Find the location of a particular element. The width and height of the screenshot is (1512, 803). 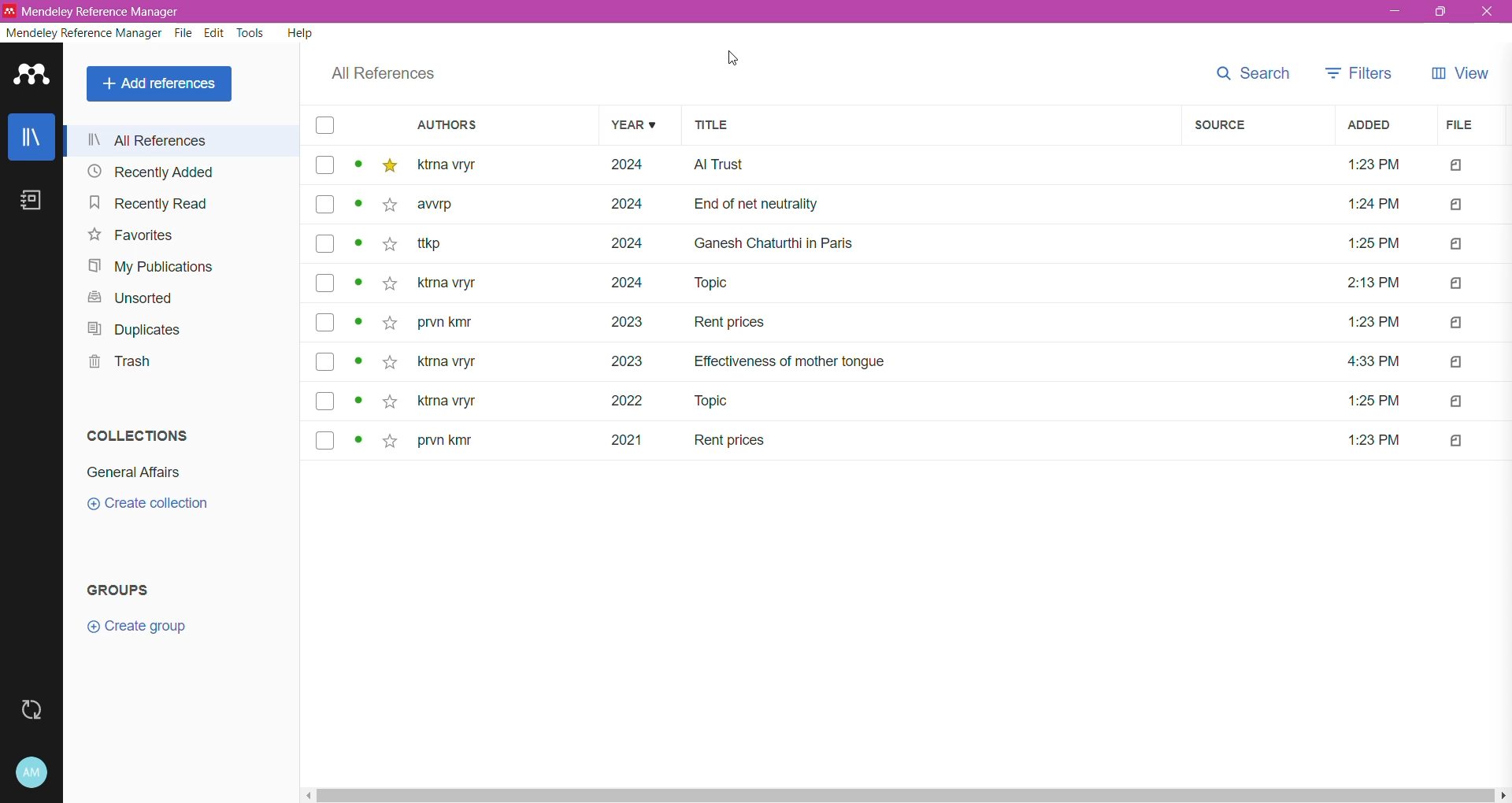

AI trust is located at coordinates (720, 165).